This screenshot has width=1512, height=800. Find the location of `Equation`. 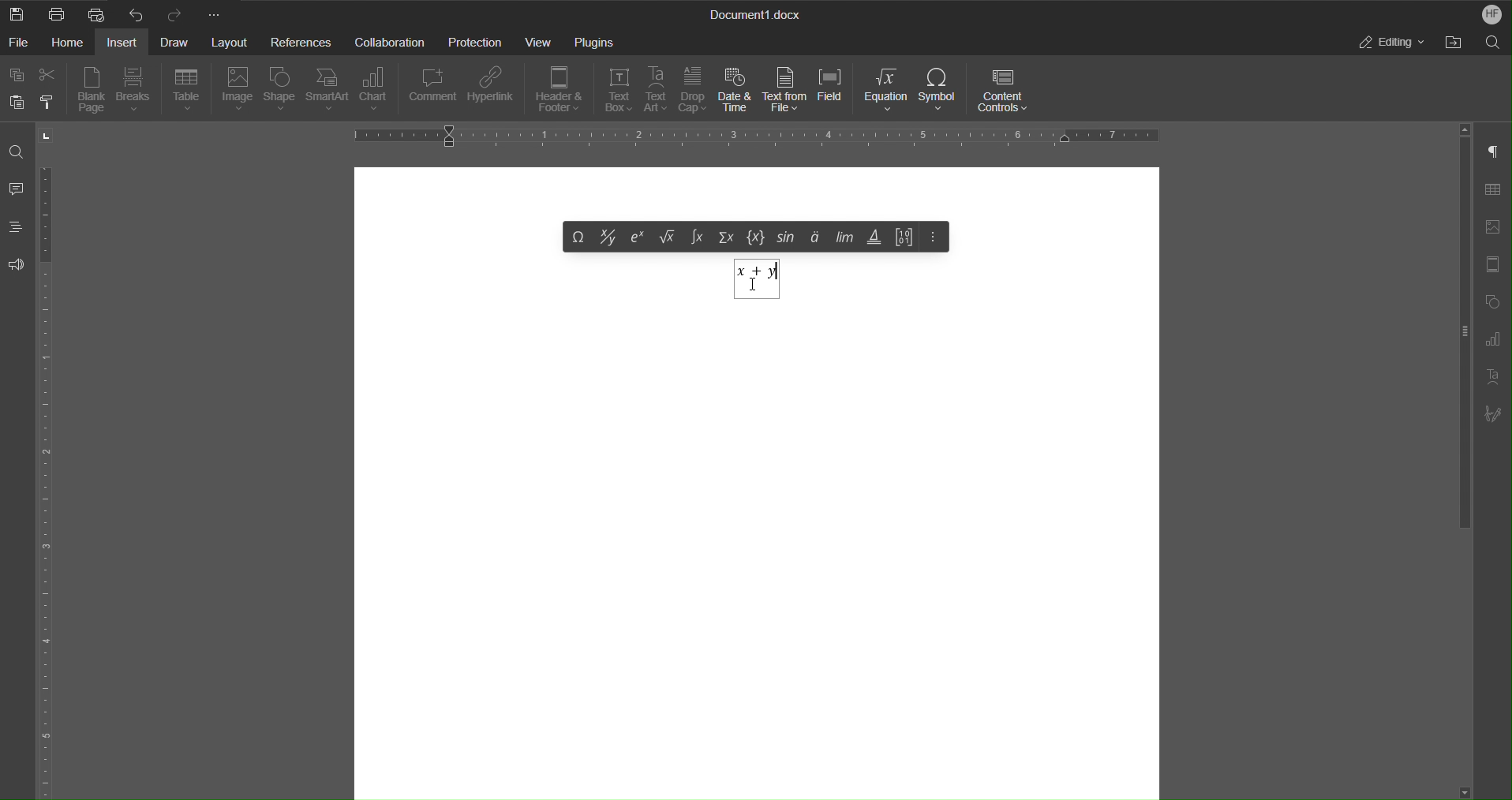

Equation is located at coordinates (885, 88).